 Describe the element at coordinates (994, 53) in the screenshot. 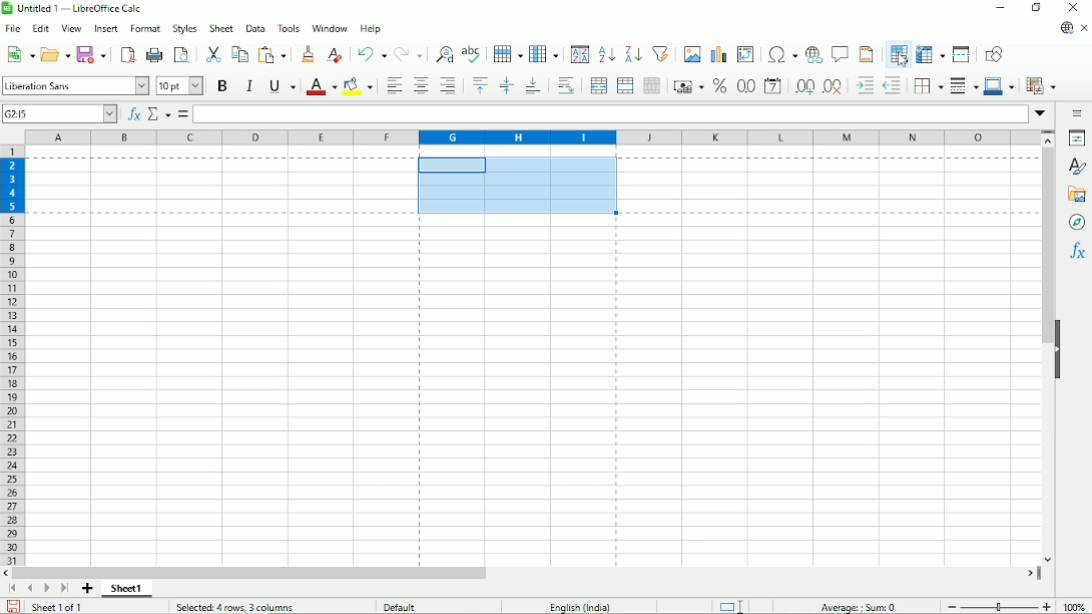

I see `Show draw functions` at that location.